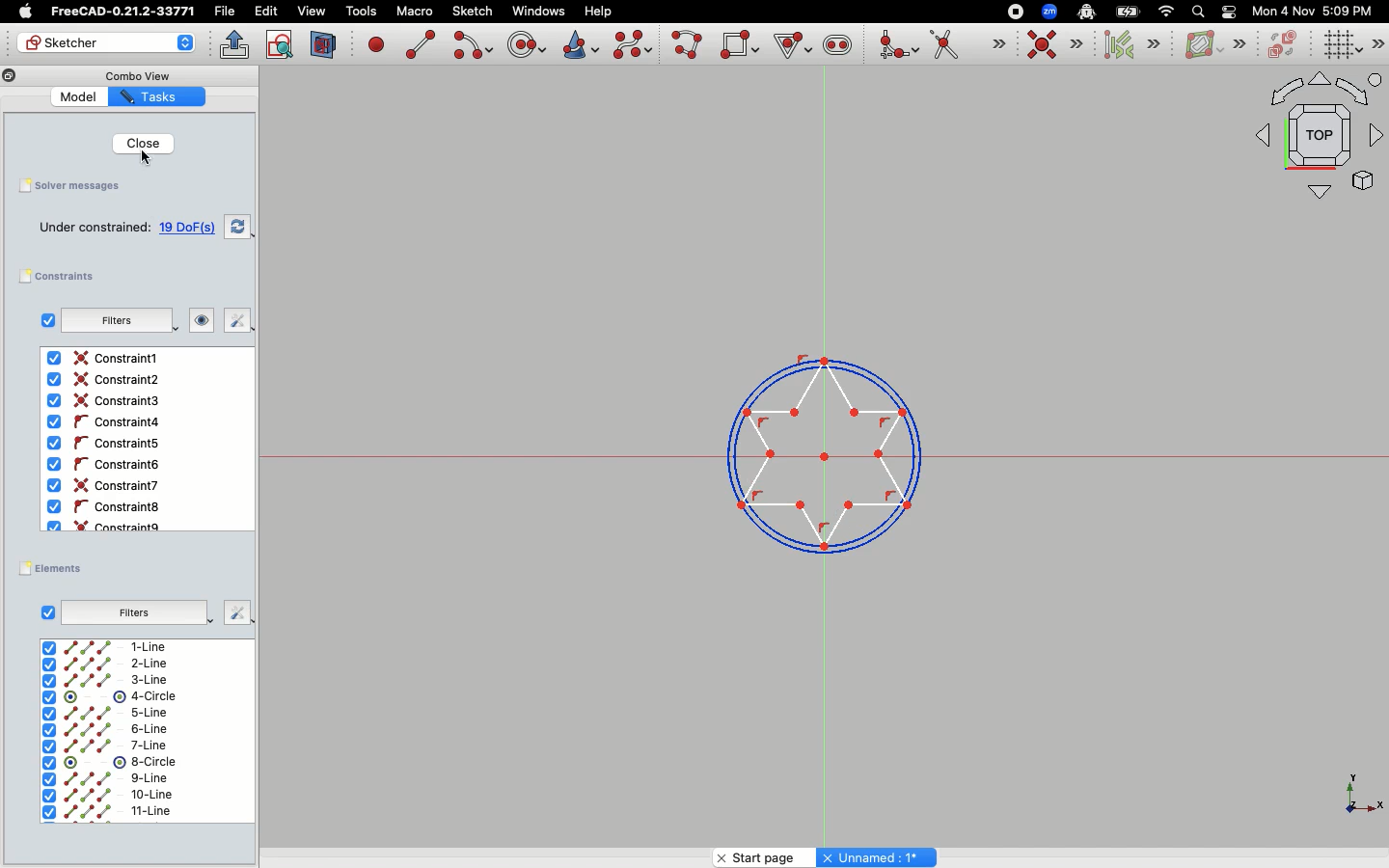  What do you see at coordinates (114, 320) in the screenshot?
I see `Filters` at bounding box center [114, 320].